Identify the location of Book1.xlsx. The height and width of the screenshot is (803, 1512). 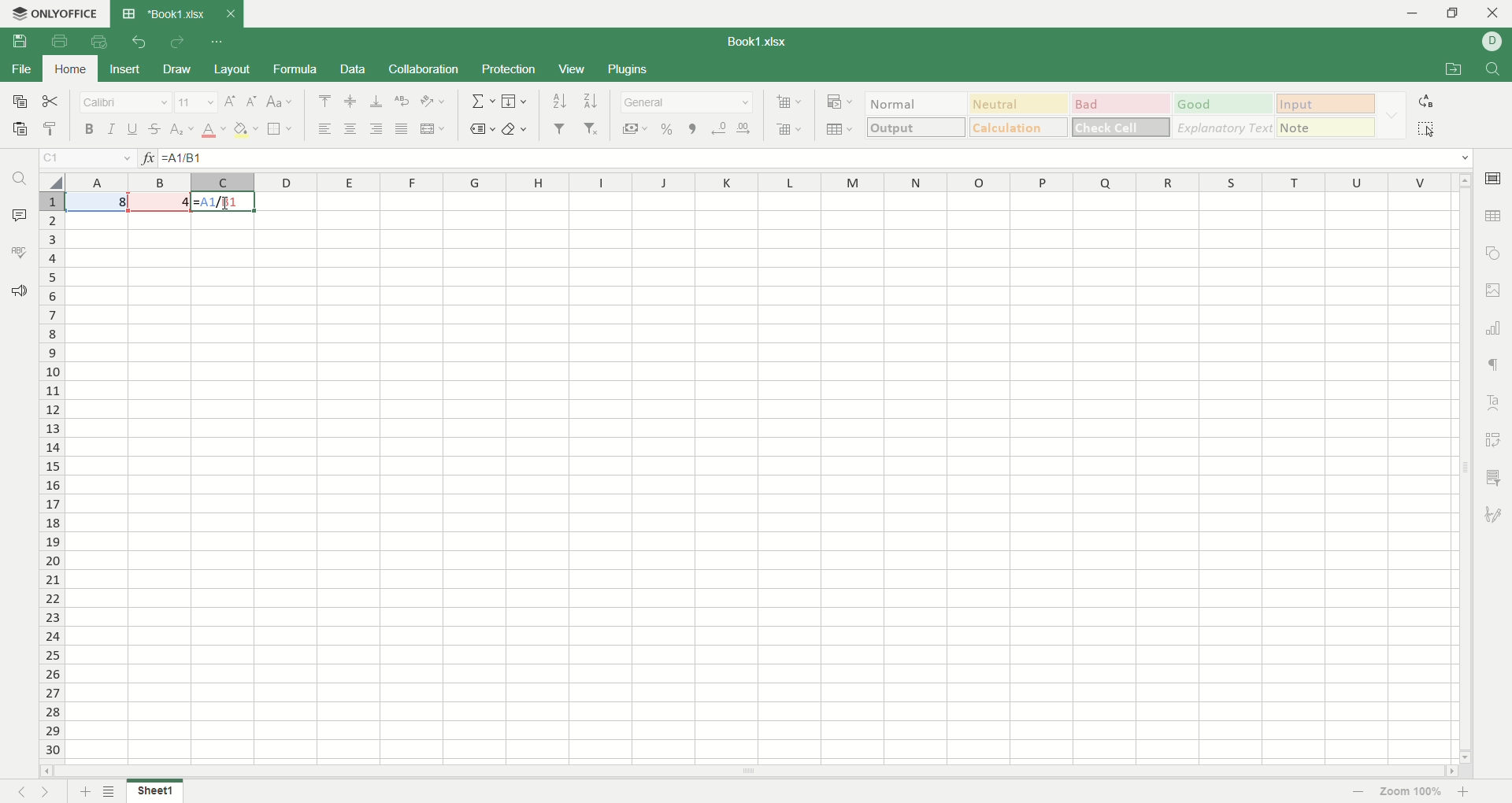
(755, 42).